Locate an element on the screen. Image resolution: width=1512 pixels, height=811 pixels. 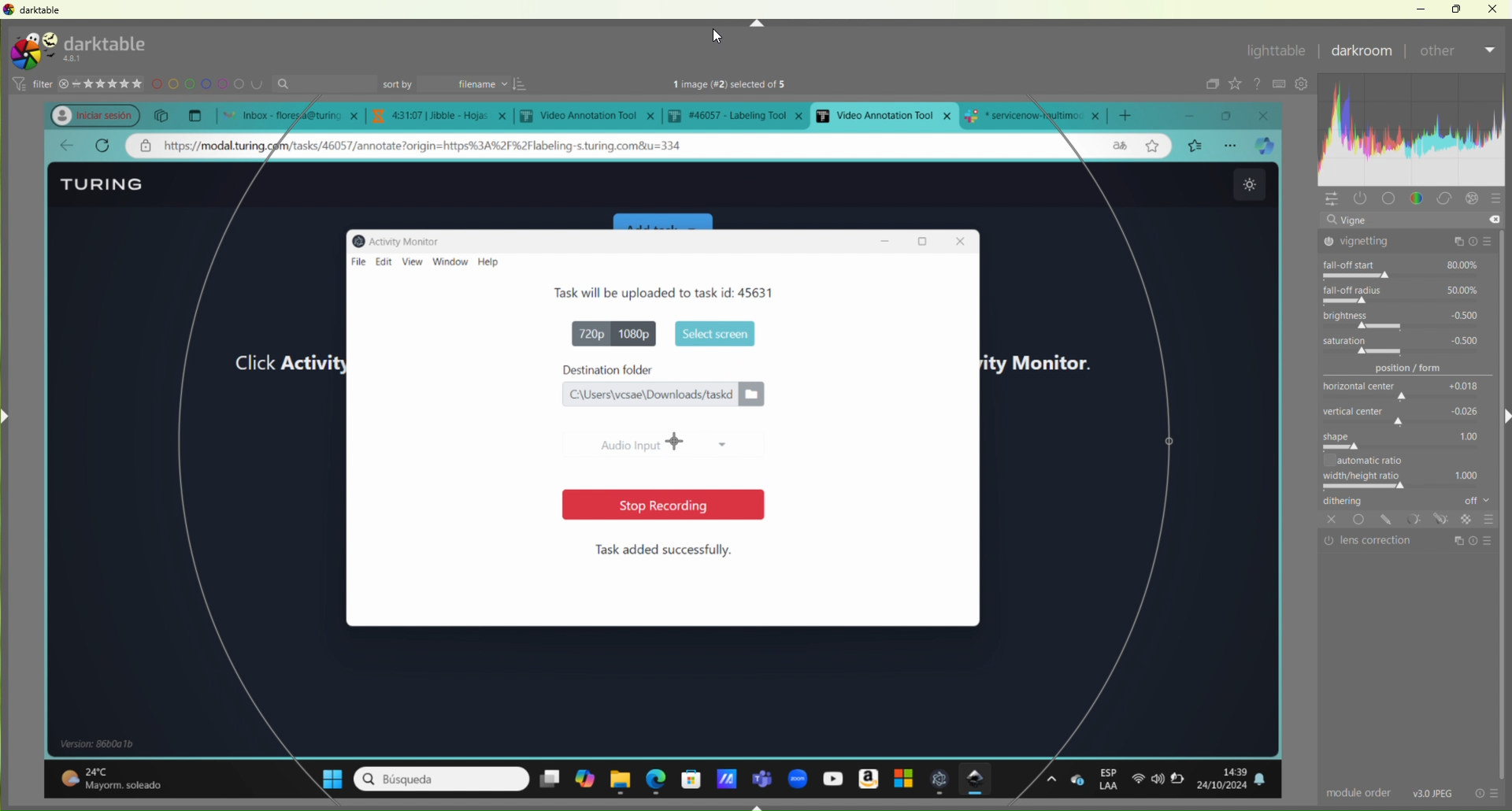
text is located at coordinates (747, 85).